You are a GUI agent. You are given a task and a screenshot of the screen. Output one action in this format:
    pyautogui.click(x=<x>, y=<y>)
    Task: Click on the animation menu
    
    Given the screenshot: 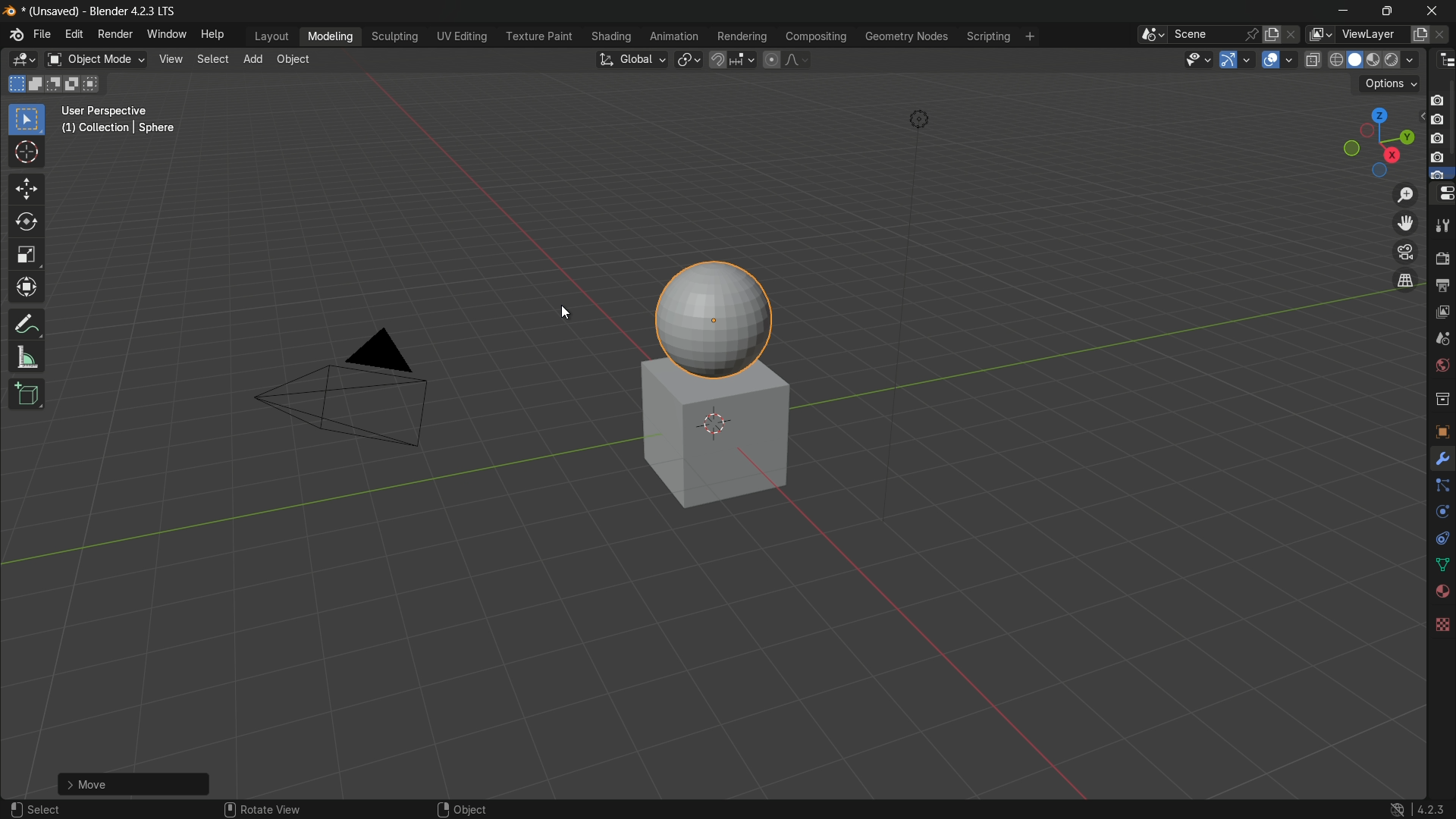 What is the action you would take?
    pyautogui.click(x=676, y=36)
    